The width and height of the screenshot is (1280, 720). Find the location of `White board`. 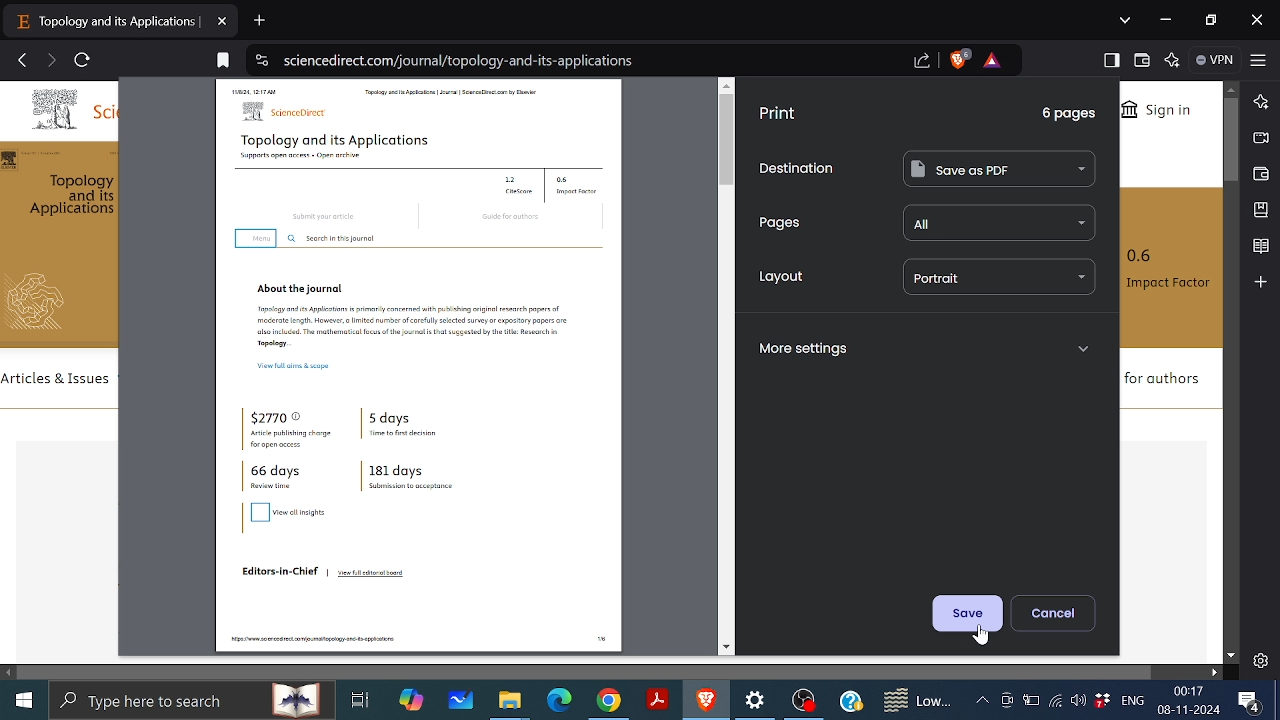

White board is located at coordinates (461, 704).